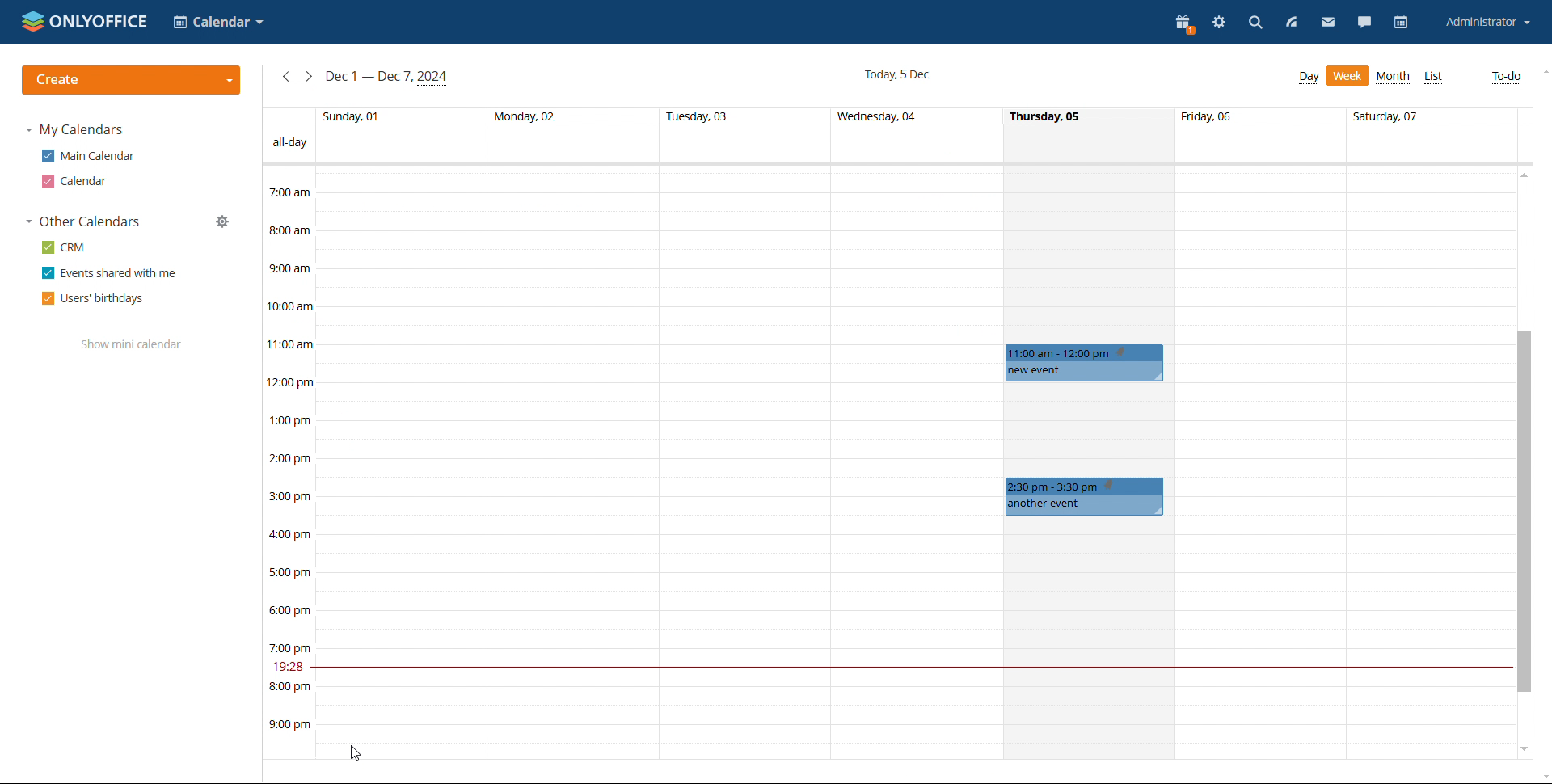 This screenshot has width=1552, height=784. What do you see at coordinates (218, 22) in the screenshot?
I see `select calendar` at bounding box center [218, 22].